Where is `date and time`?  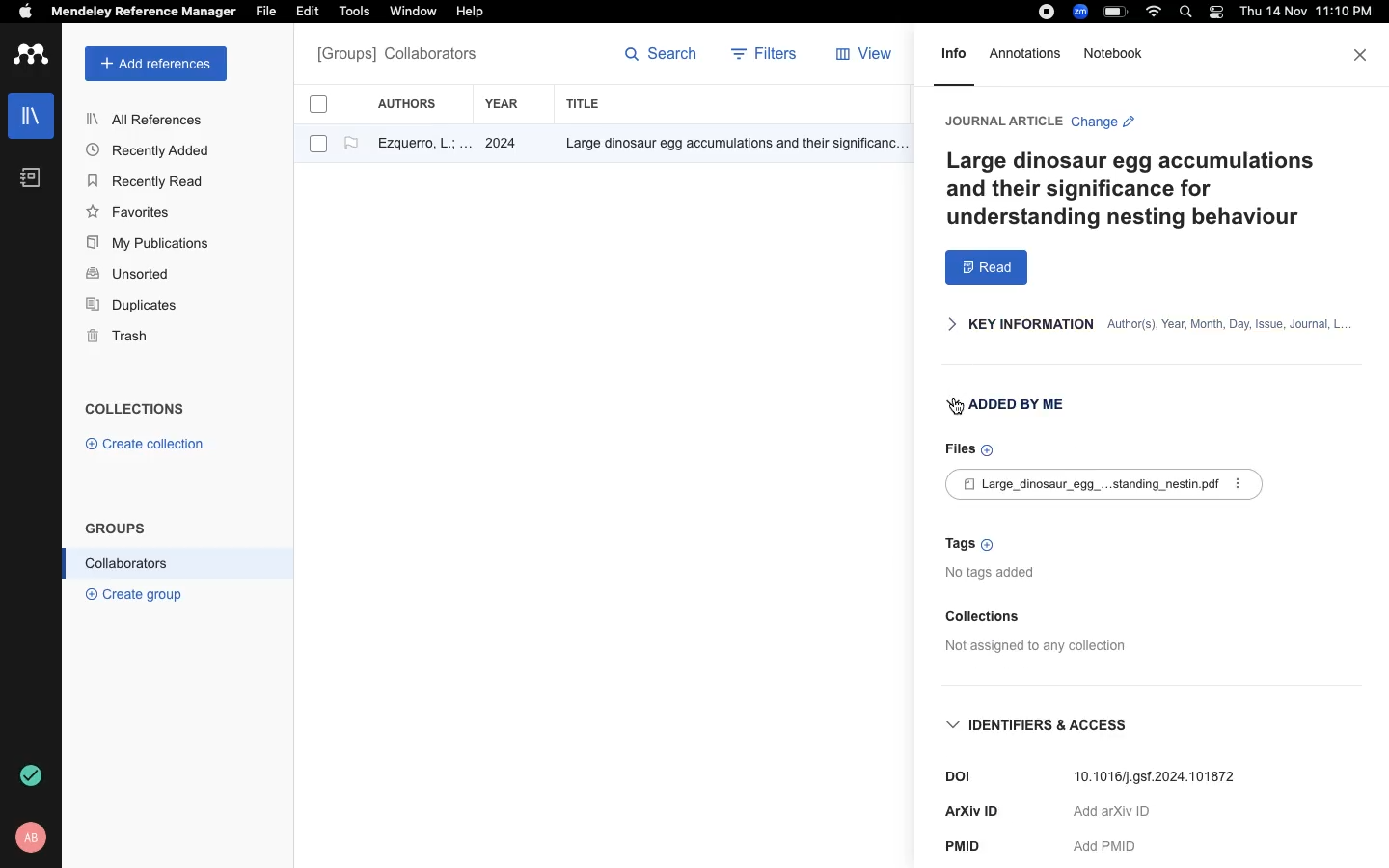
date and time is located at coordinates (1302, 14).